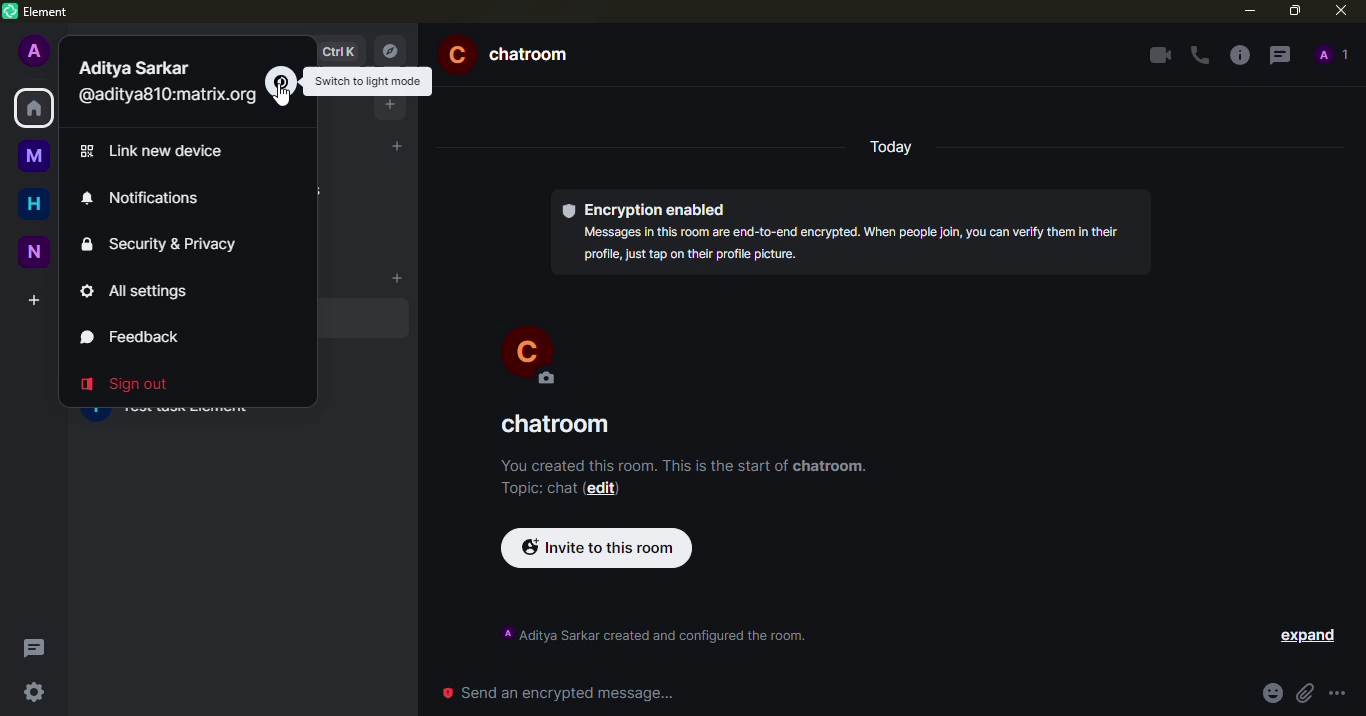 Image resolution: width=1366 pixels, height=716 pixels. I want to click on attach, so click(1304, 694).